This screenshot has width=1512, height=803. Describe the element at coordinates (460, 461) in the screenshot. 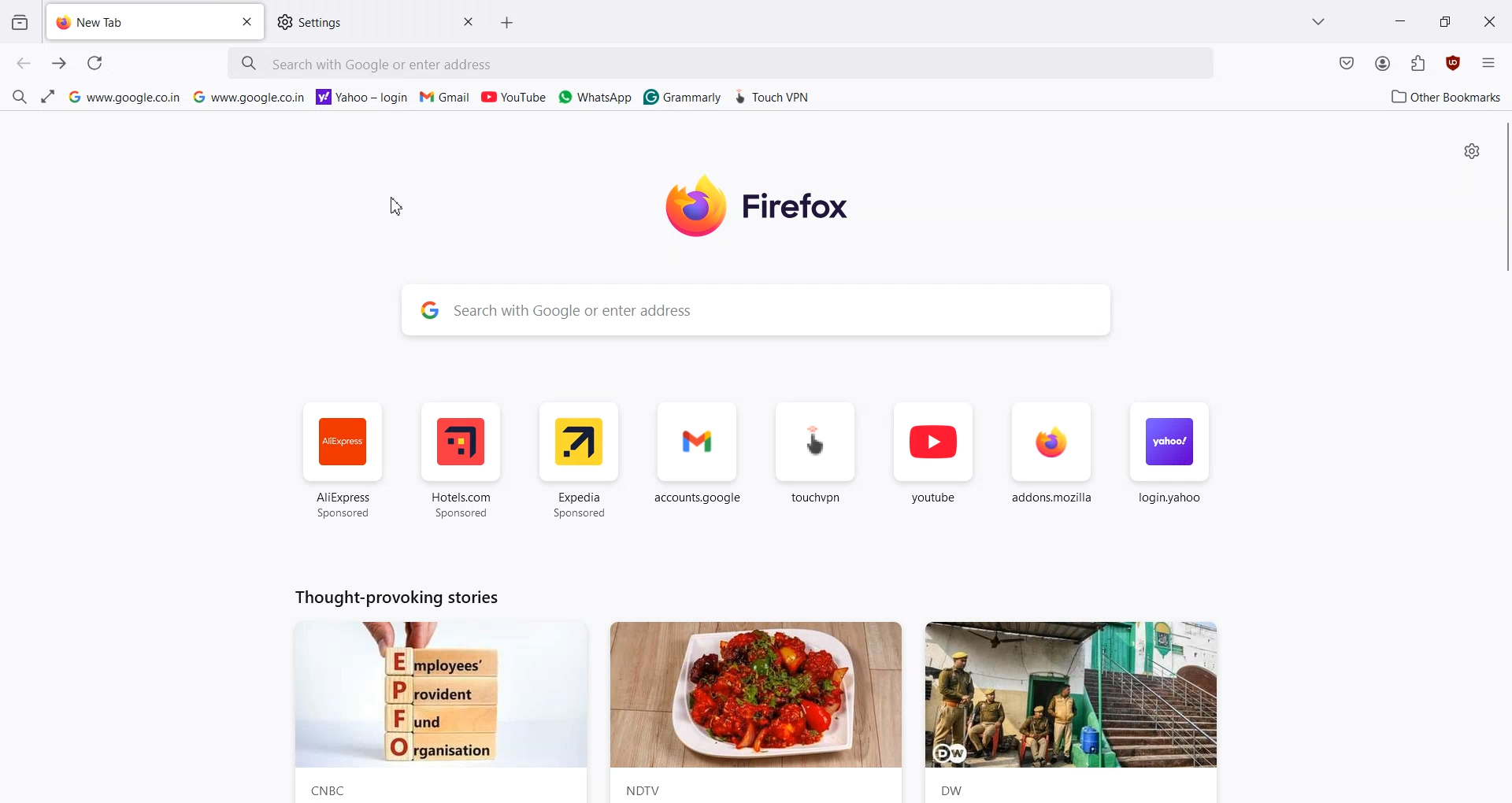

I see `Hotel.com Sponsored` at that location.